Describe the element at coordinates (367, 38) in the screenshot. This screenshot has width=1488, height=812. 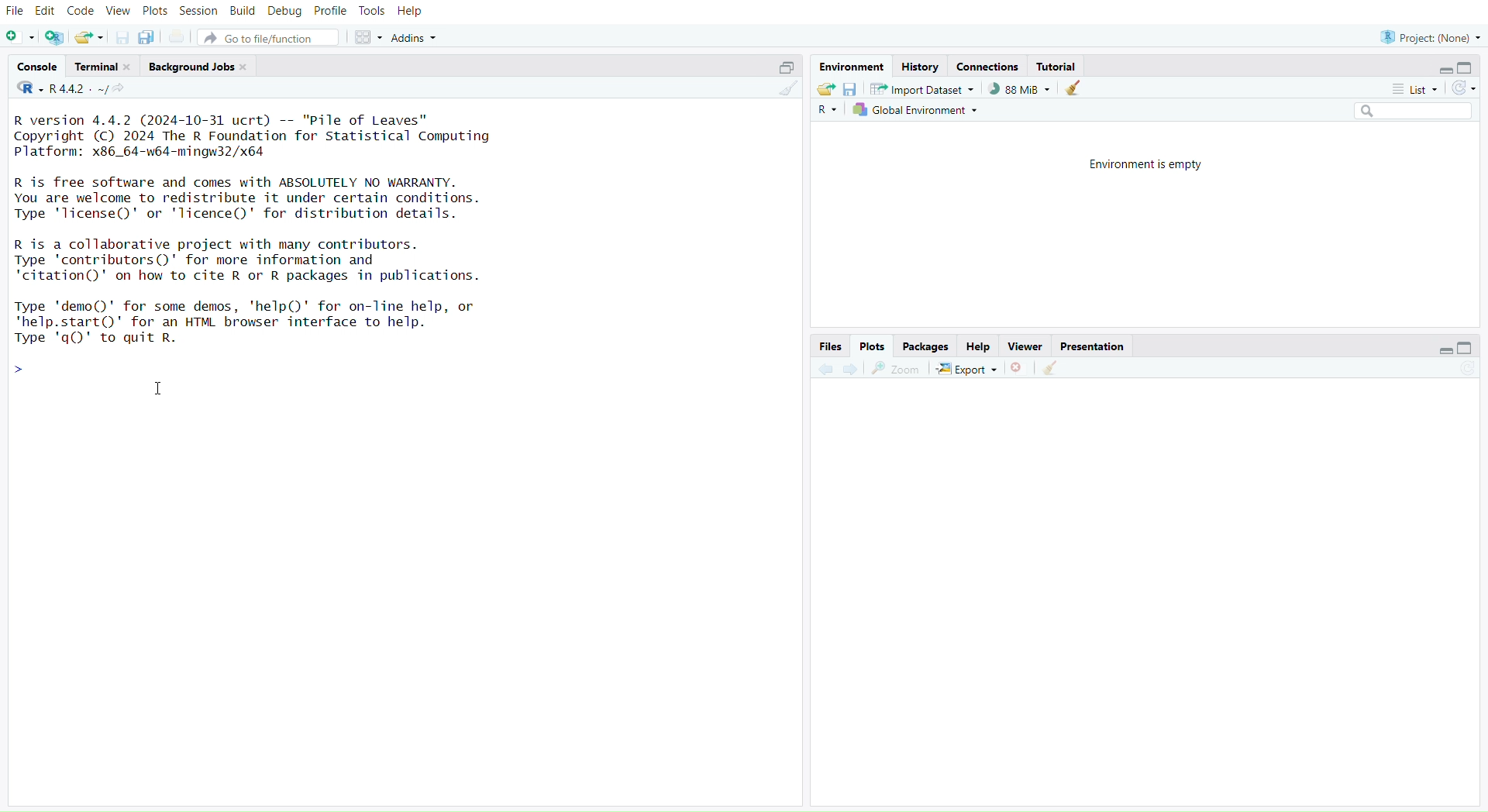
I see `workspace panes` at that location.